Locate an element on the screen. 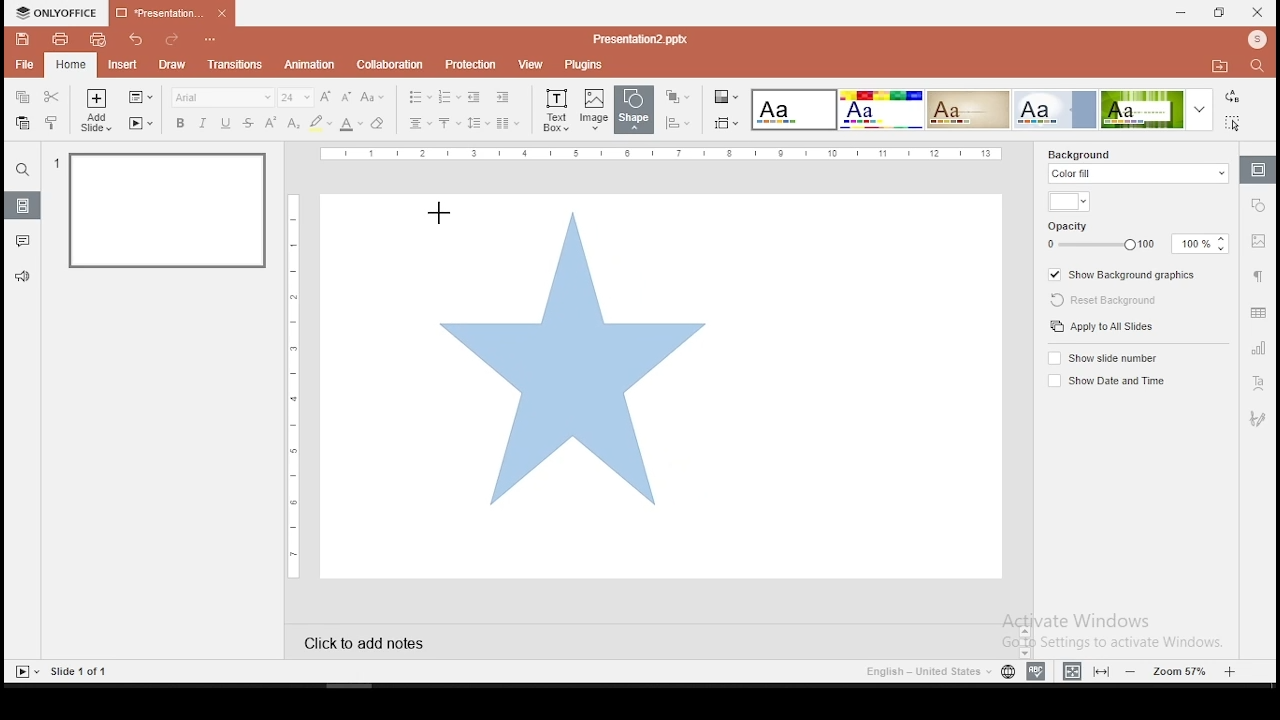 The image size is (1280, 720). presentation is located at coordinates (172, 12).